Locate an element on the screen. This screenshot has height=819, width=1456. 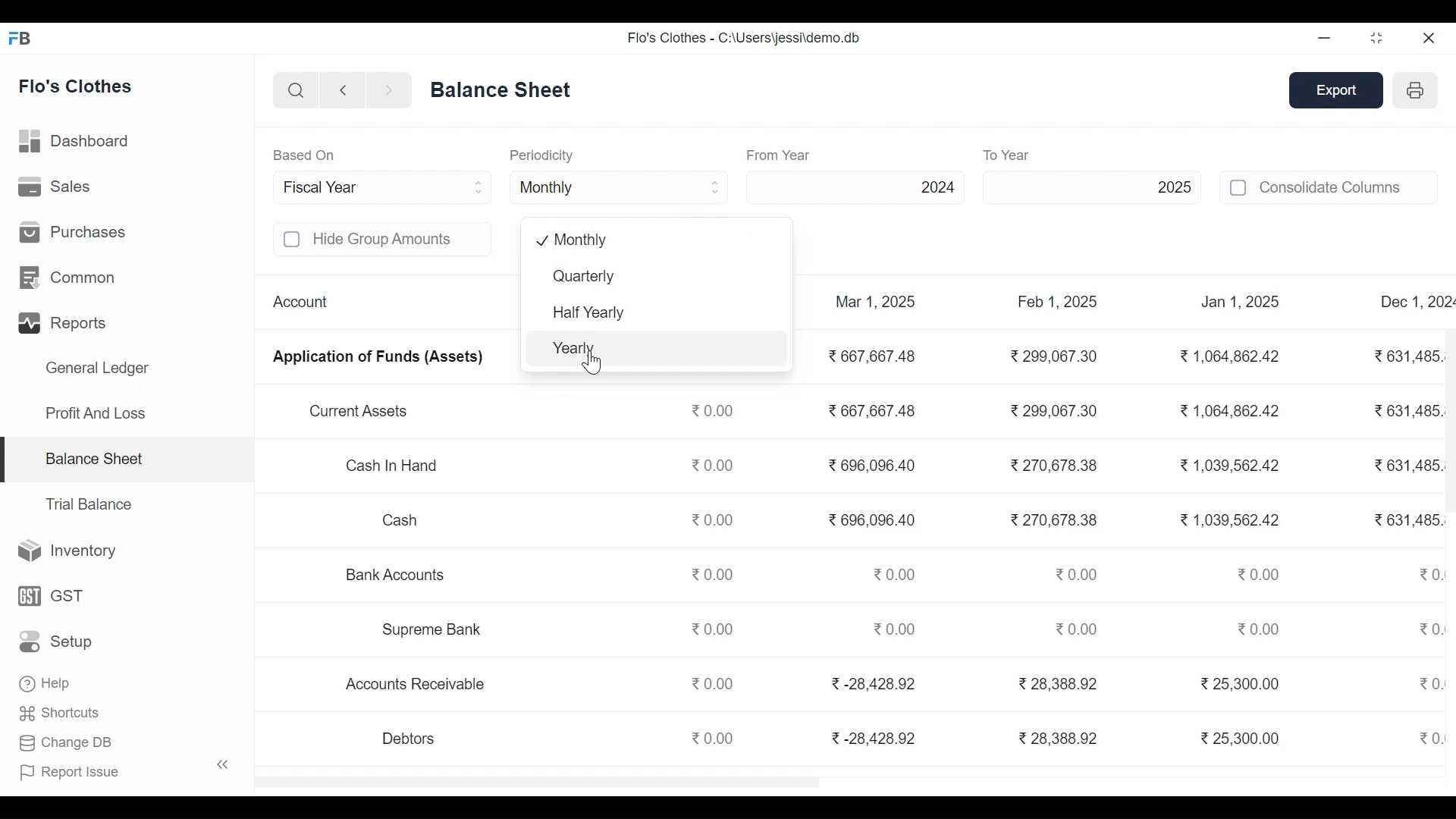
FB logo is located at coordinates (20, 37).